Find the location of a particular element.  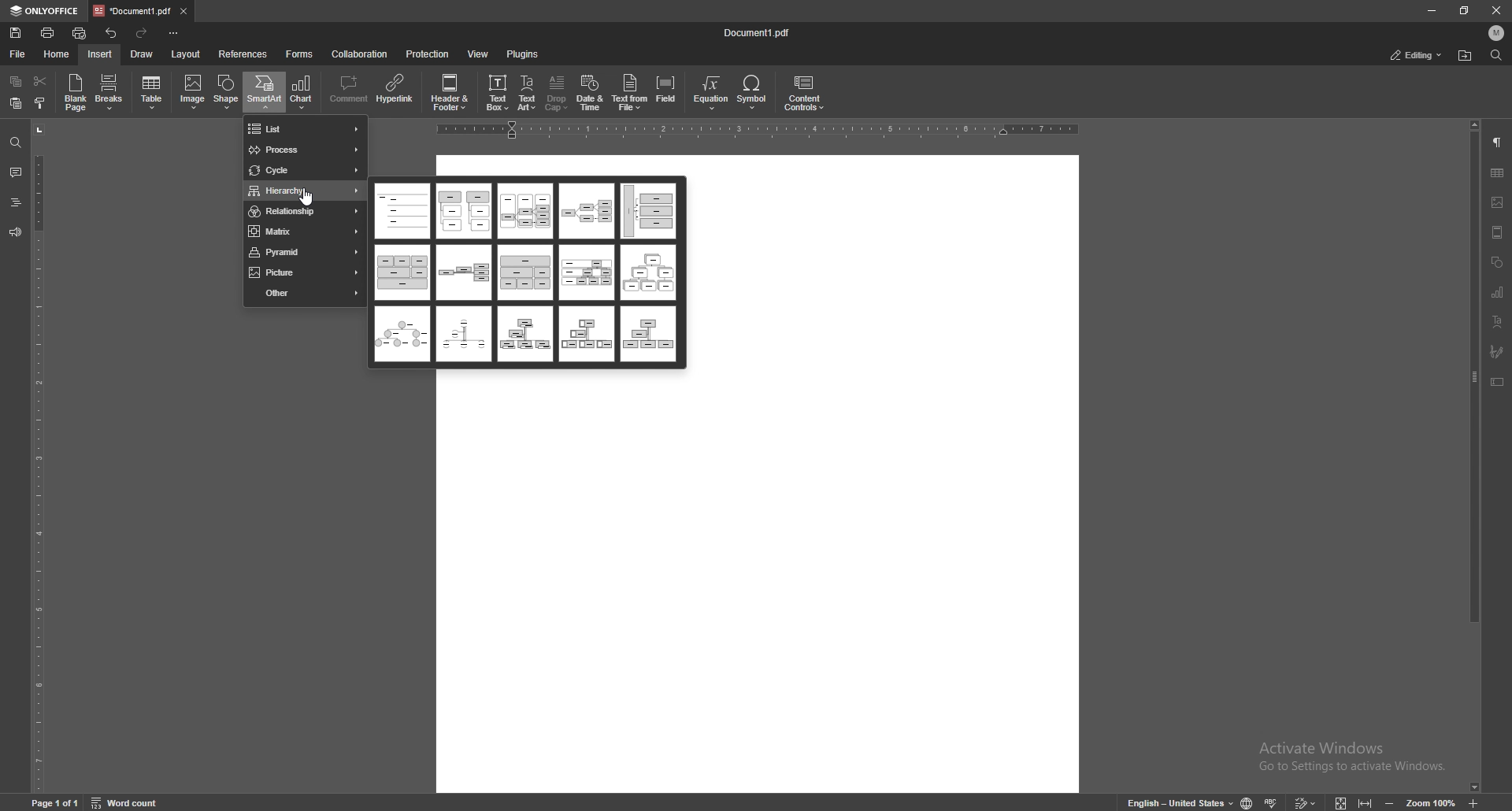

options is located at coordinates (176, 32).